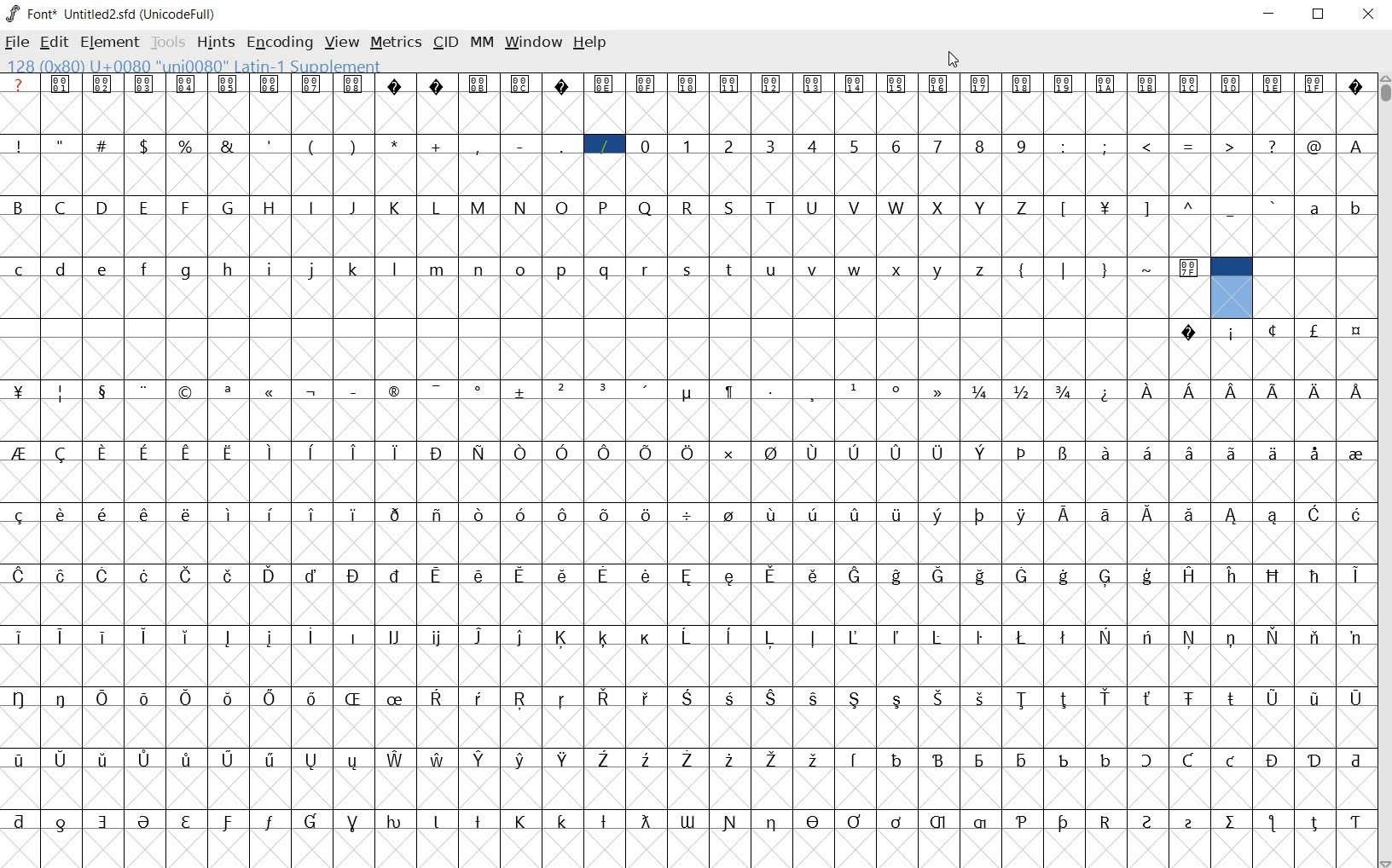  I want to click on Symbol, so click(149, 636).